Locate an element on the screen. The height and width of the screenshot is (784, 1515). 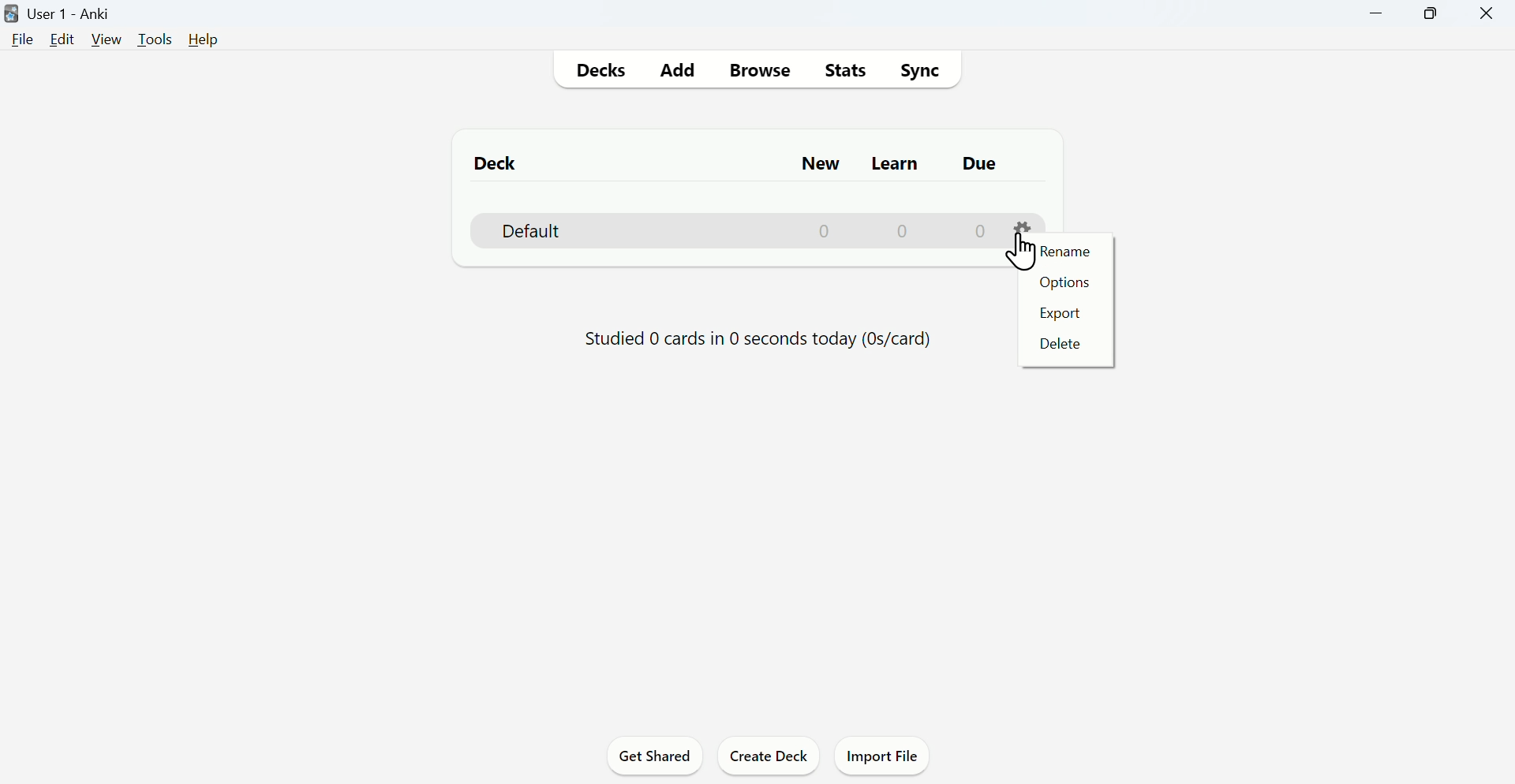
Options is located at coordinates (1064, 284).